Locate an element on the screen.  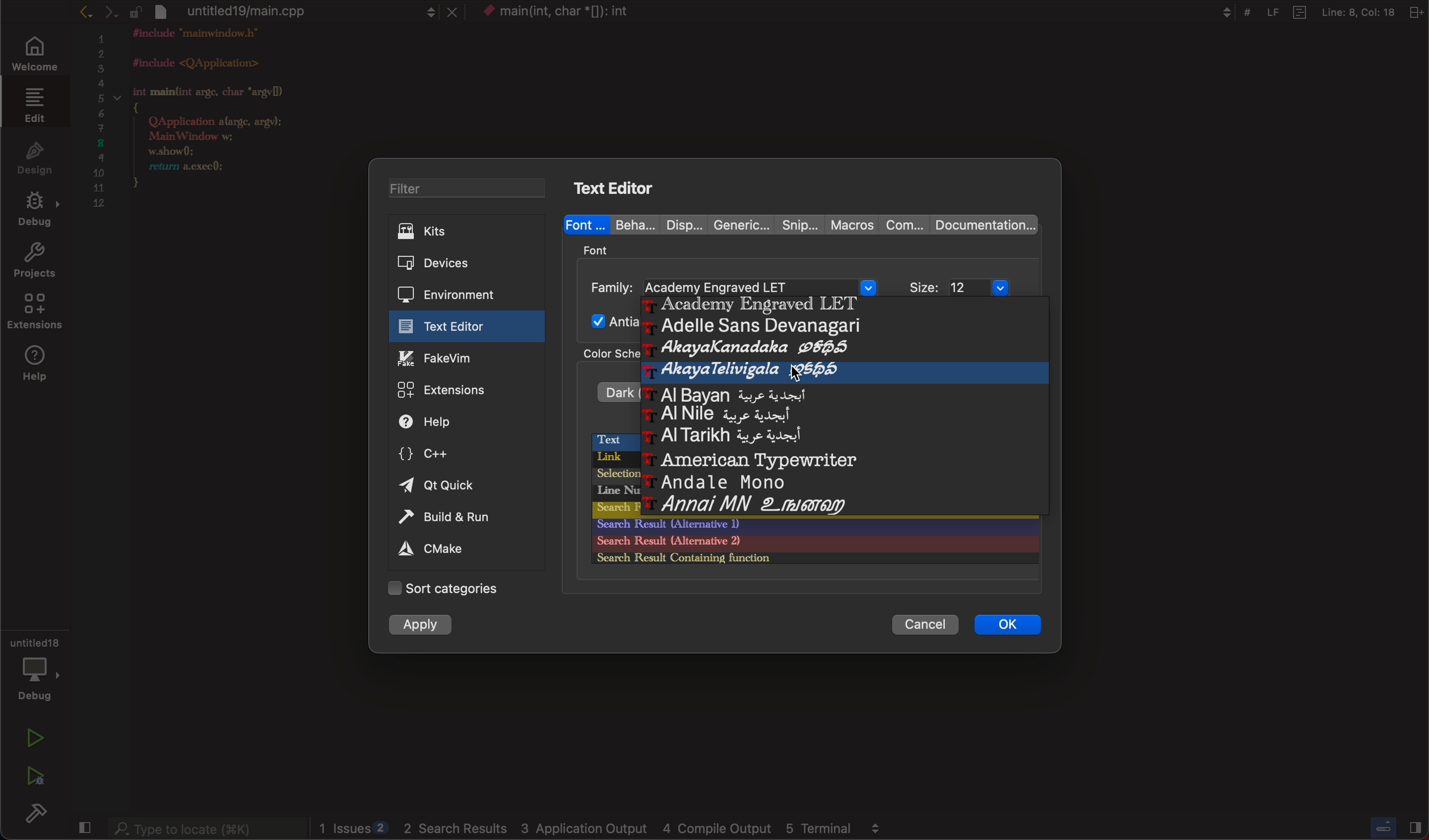
Antialias is located at coordinates (610, 321).